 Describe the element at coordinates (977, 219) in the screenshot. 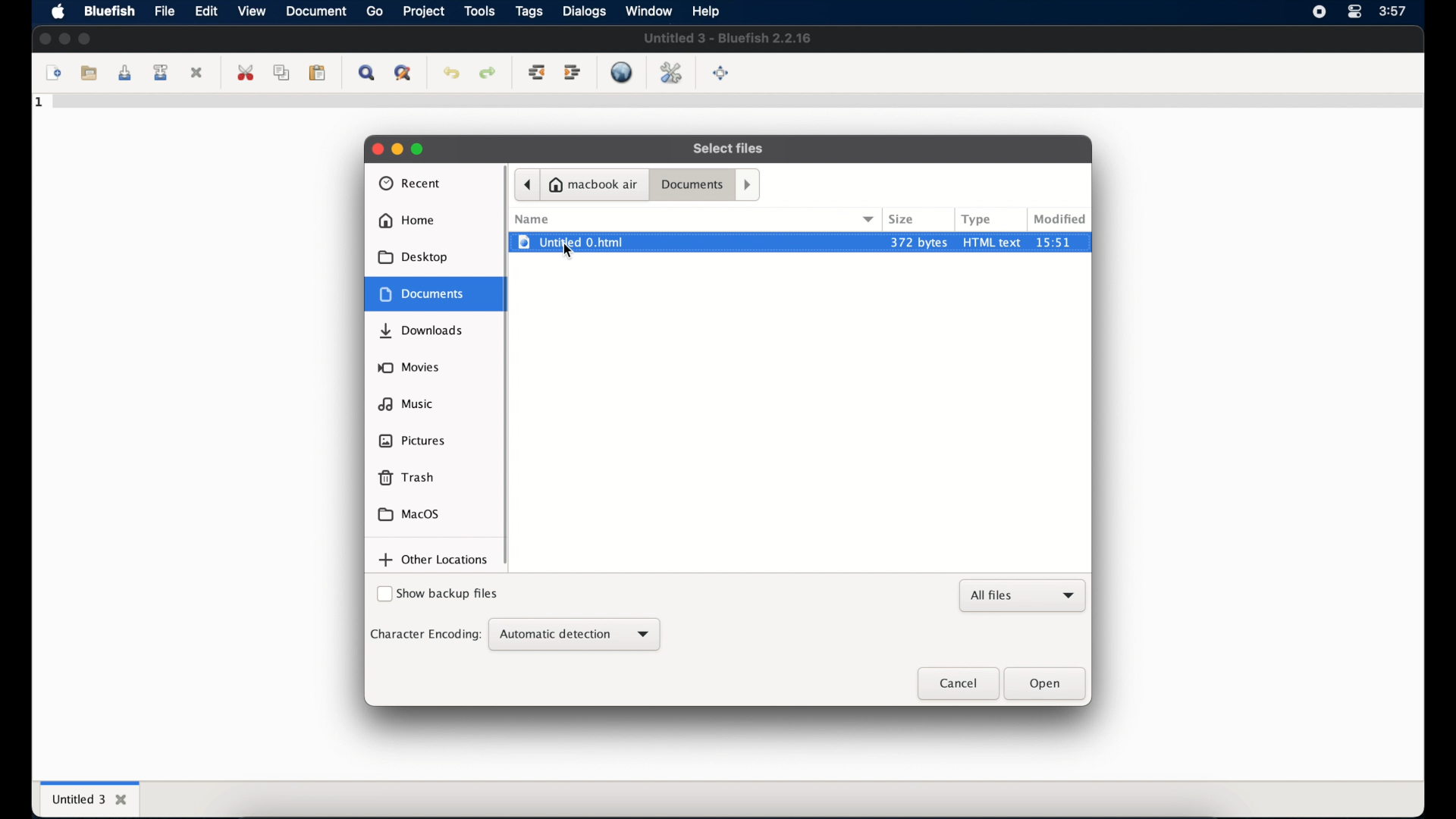

I see `type` at that location.